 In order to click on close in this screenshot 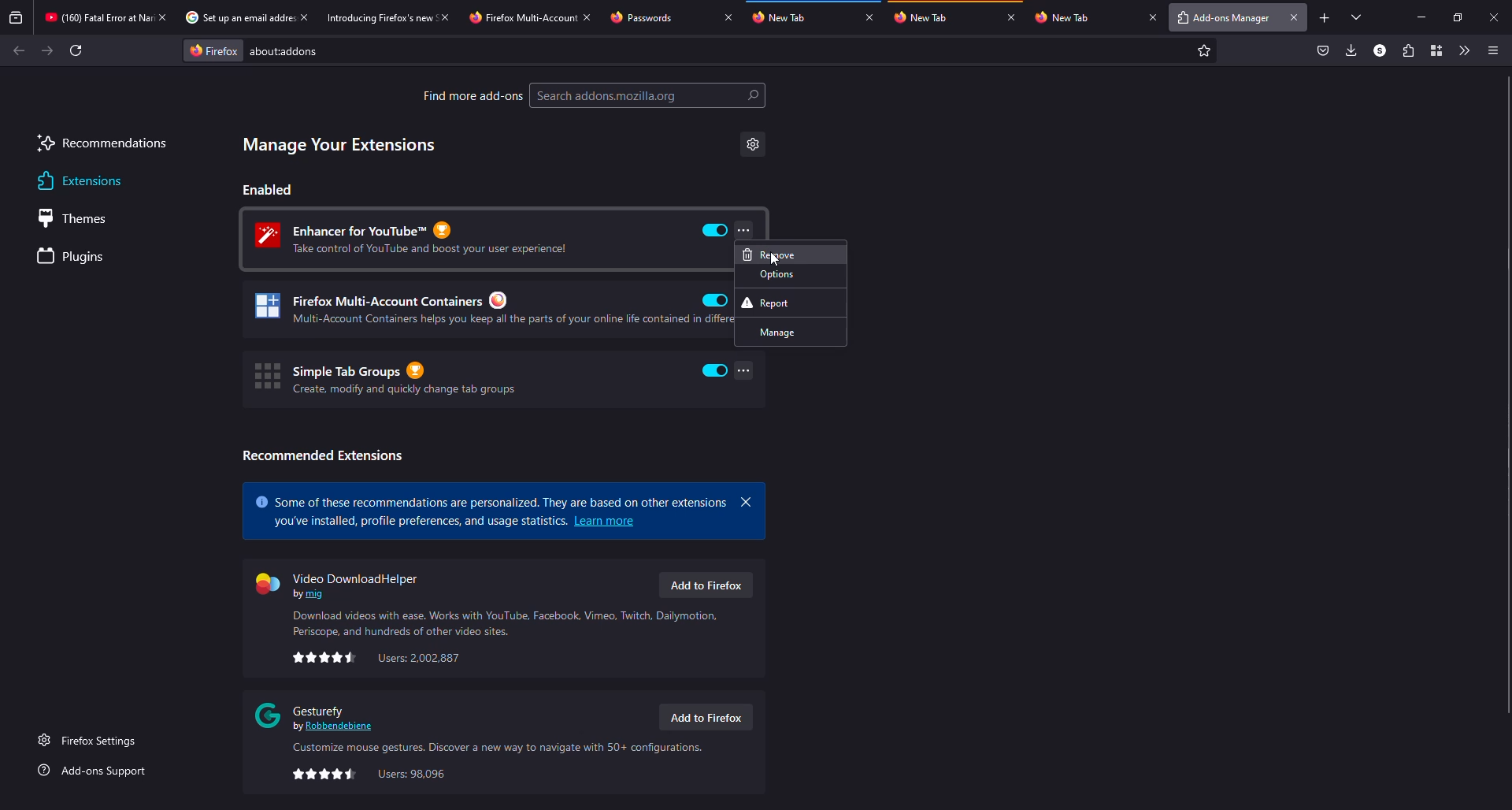, I will do `click(747, 502)`.